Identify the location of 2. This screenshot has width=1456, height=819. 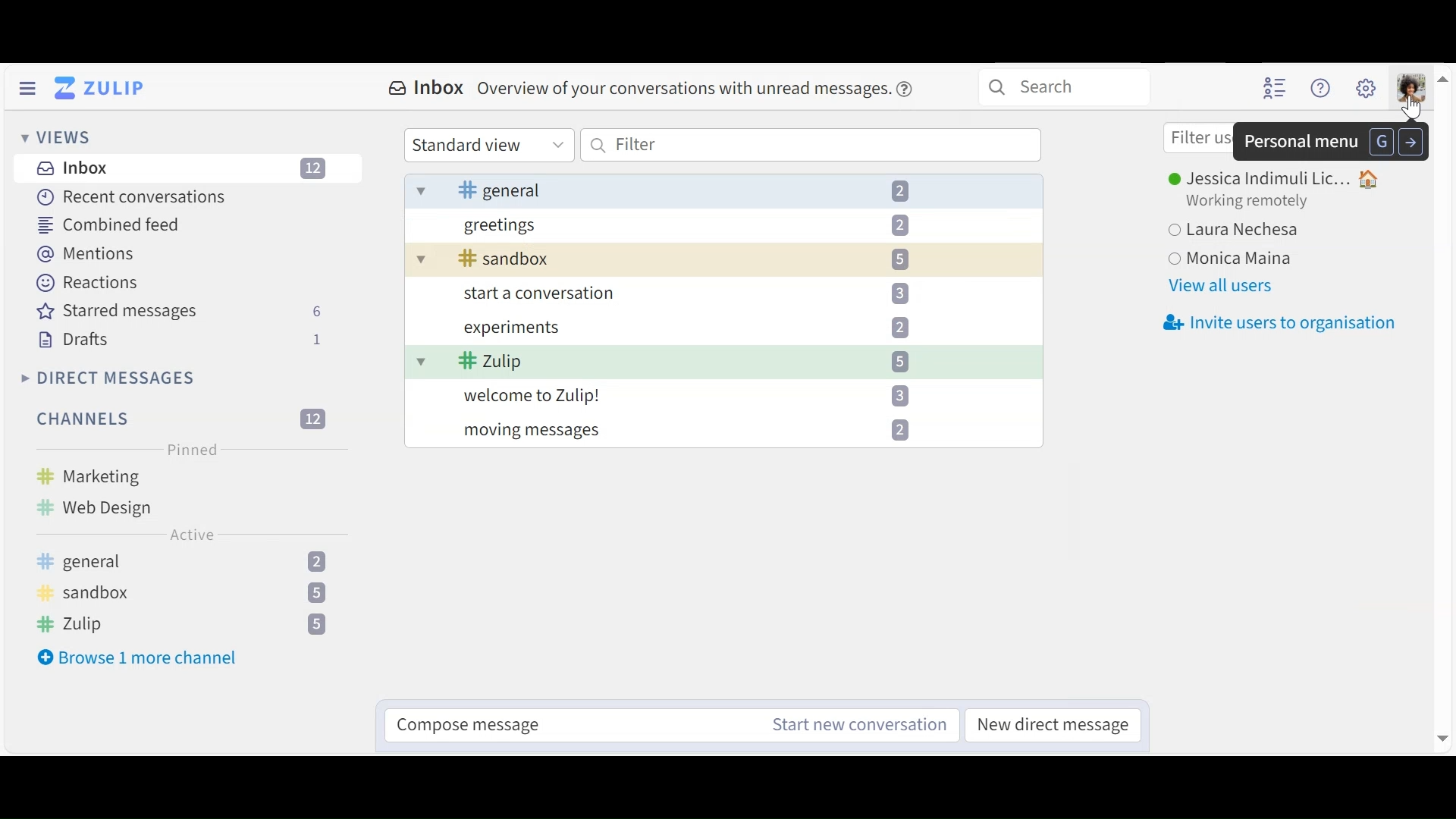
(901, 328).